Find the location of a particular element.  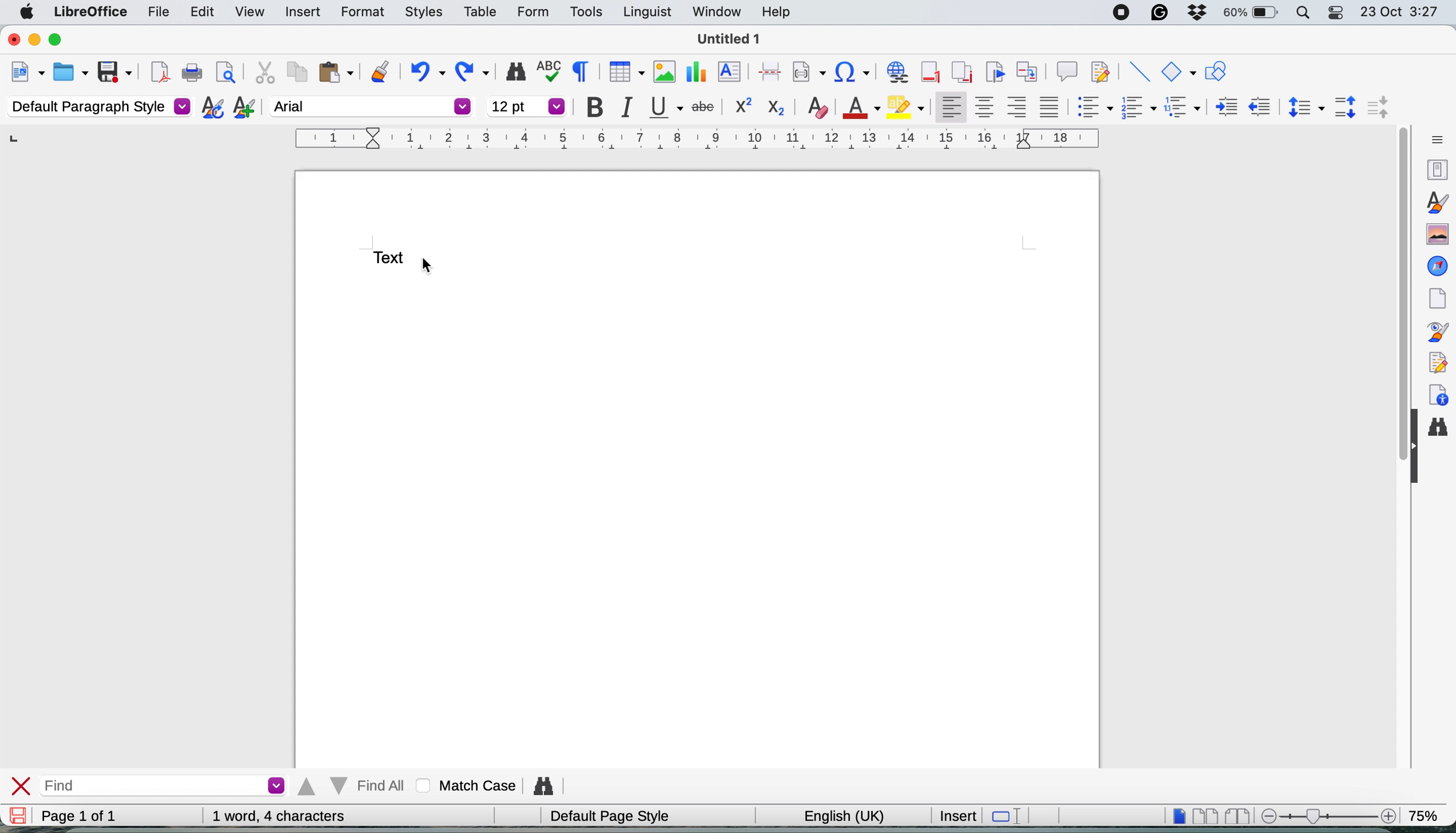

style inspector is located at coordinates (1441, 332).